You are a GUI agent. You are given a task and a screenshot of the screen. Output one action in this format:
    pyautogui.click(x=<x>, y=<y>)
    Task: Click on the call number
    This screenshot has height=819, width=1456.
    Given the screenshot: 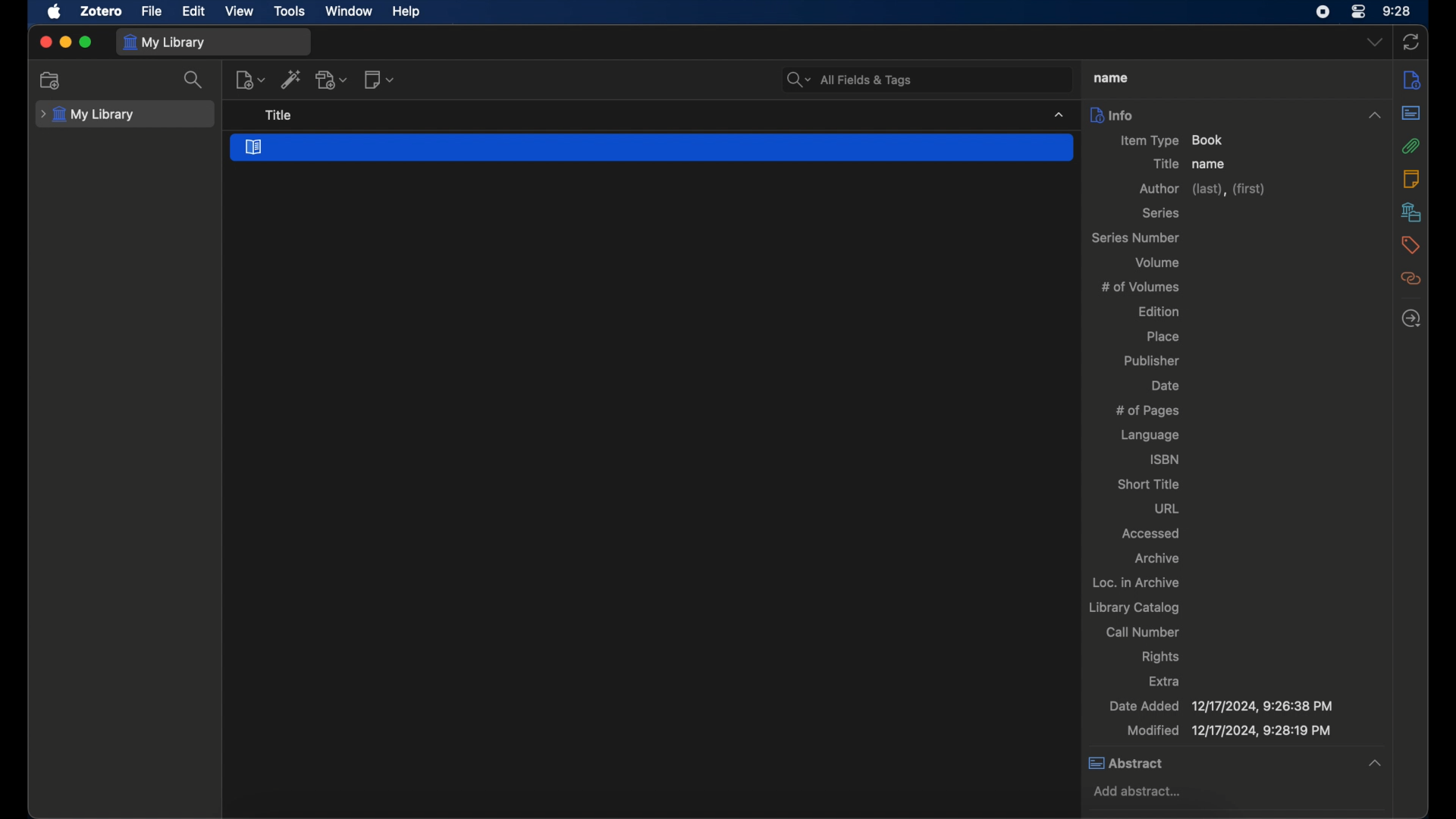 What is the action you would take?
    pyautogui.click(x=1143, y=632)
    